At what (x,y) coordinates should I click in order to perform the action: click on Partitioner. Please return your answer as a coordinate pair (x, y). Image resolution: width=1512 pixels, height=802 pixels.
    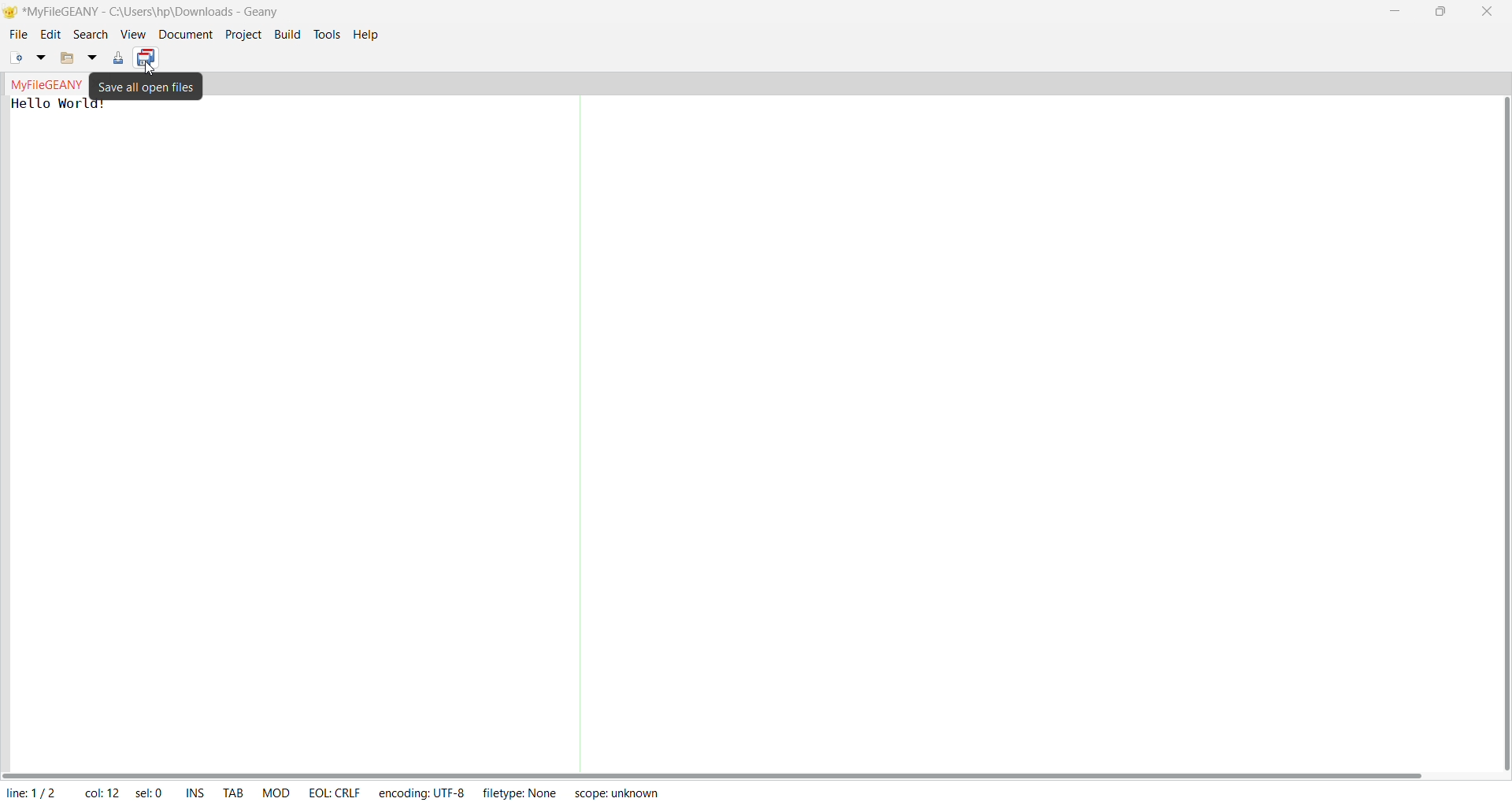
    Looking at the image, I should click on (584, 433).